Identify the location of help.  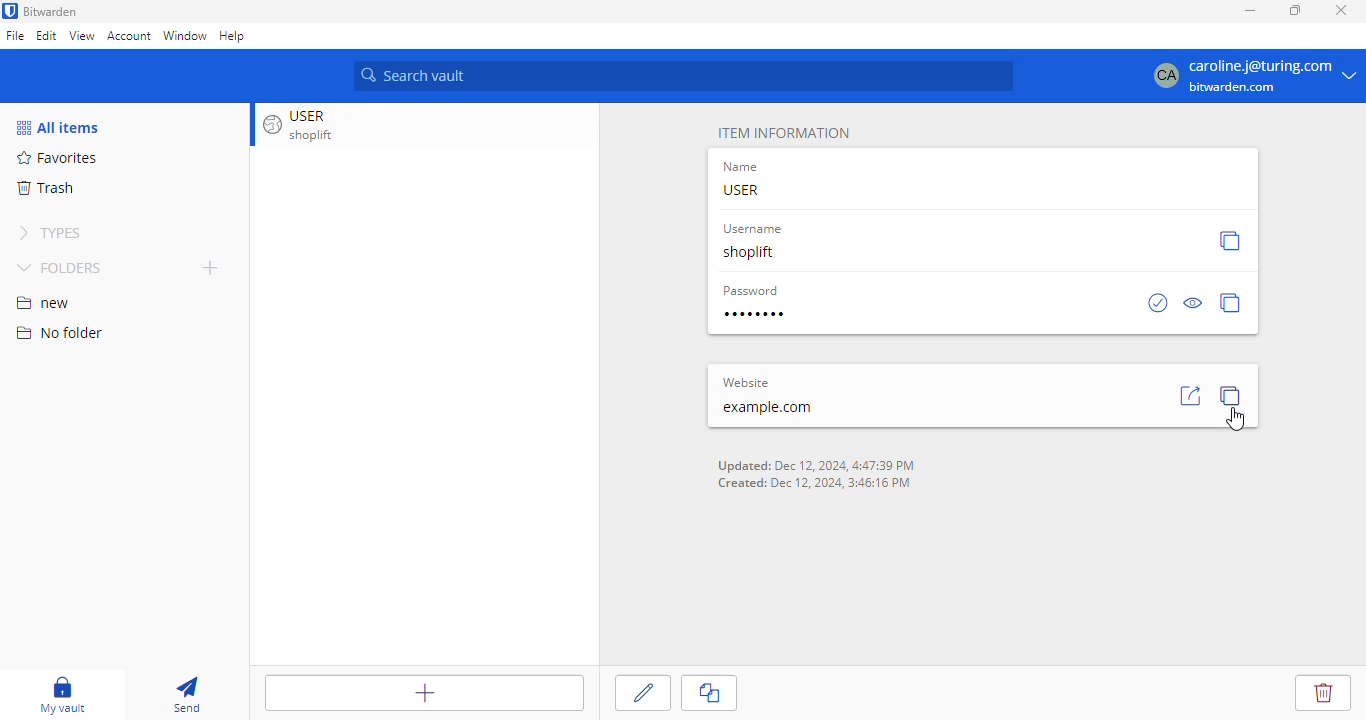
(232, 37).